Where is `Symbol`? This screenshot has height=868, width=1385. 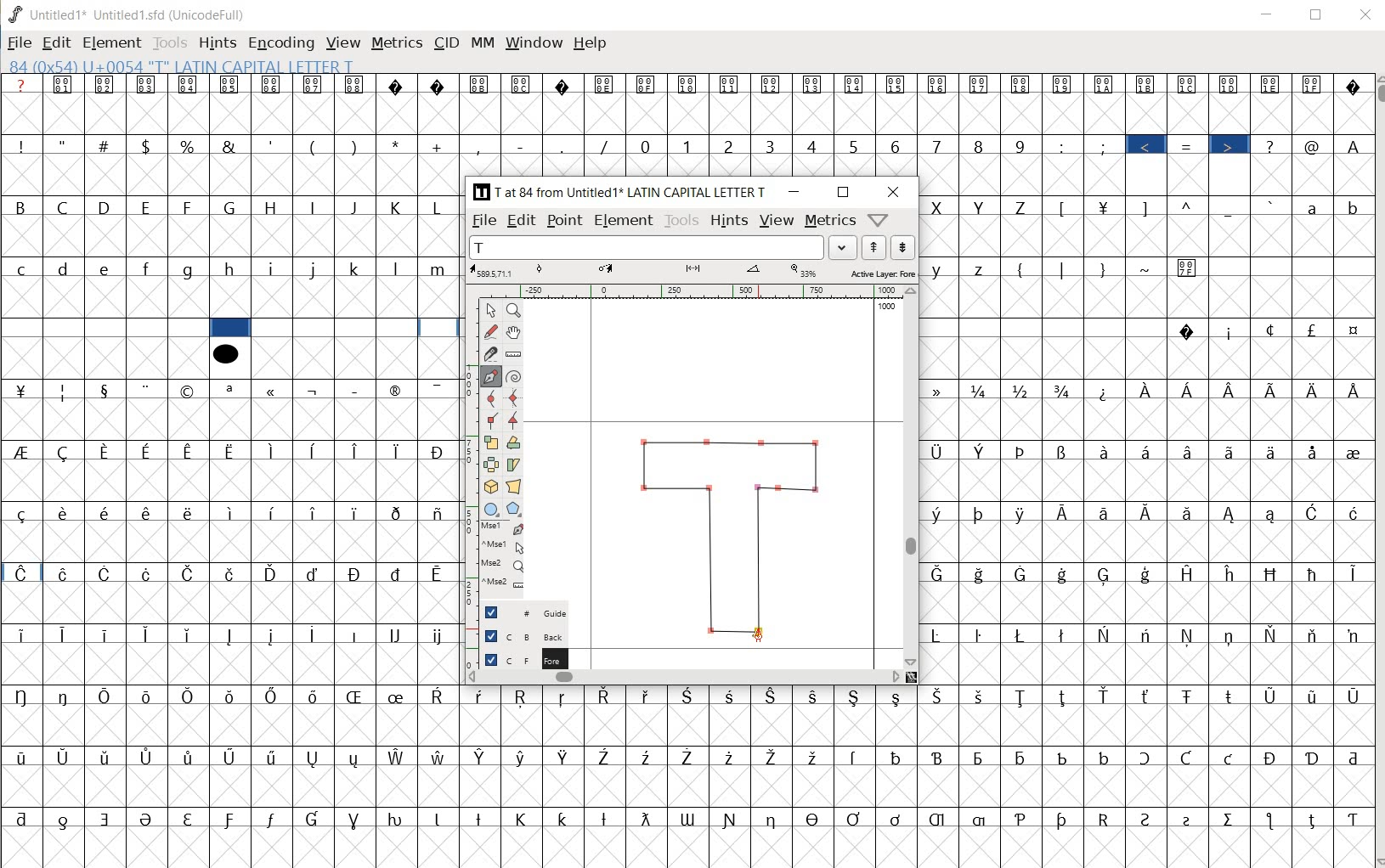 Symbol is located at coordinates (147, 819).